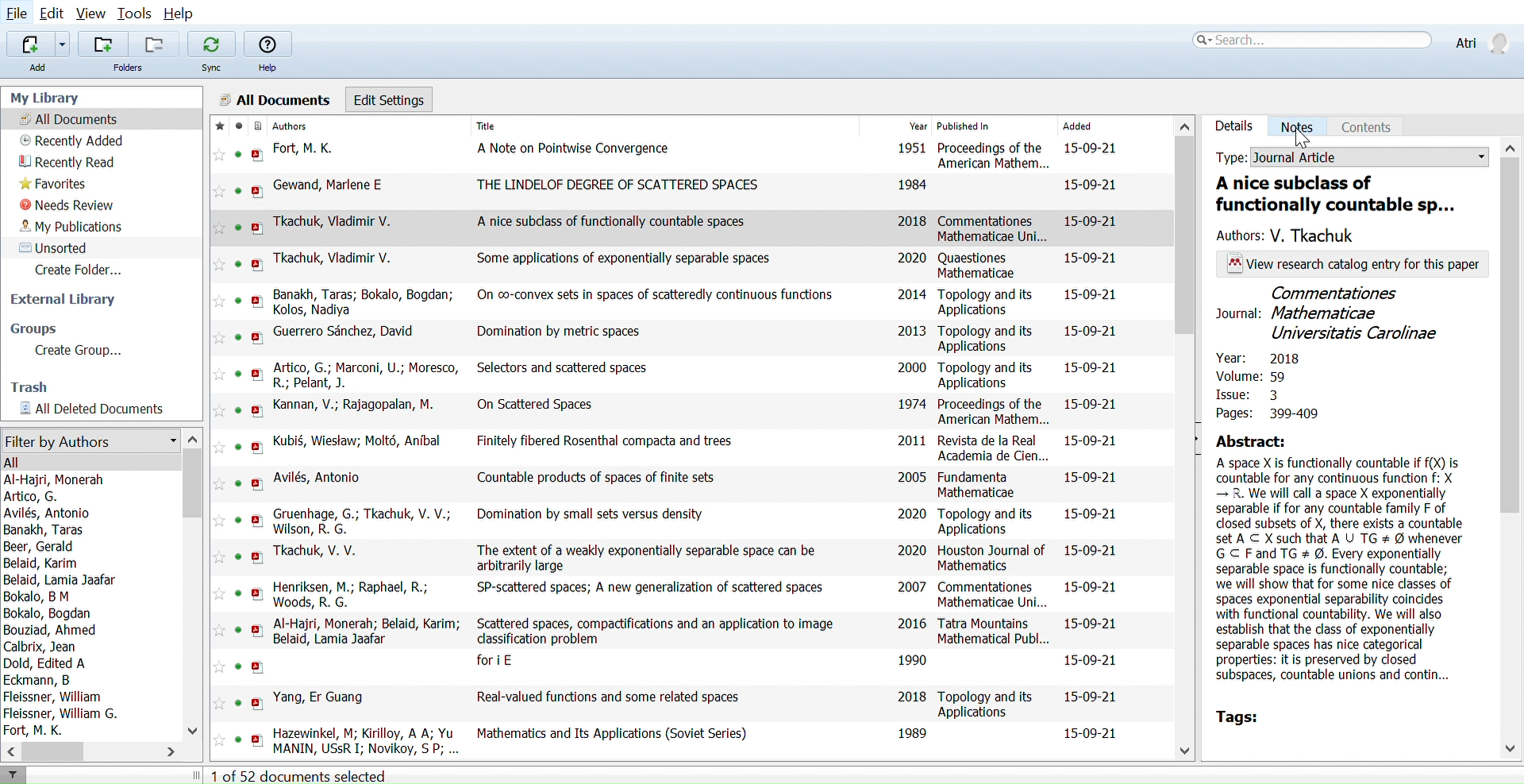 The height and width of the screenshot is (784, 1524). Describe the element at coordinates (269, 68) in the screenshot. I see `Help` at that location.